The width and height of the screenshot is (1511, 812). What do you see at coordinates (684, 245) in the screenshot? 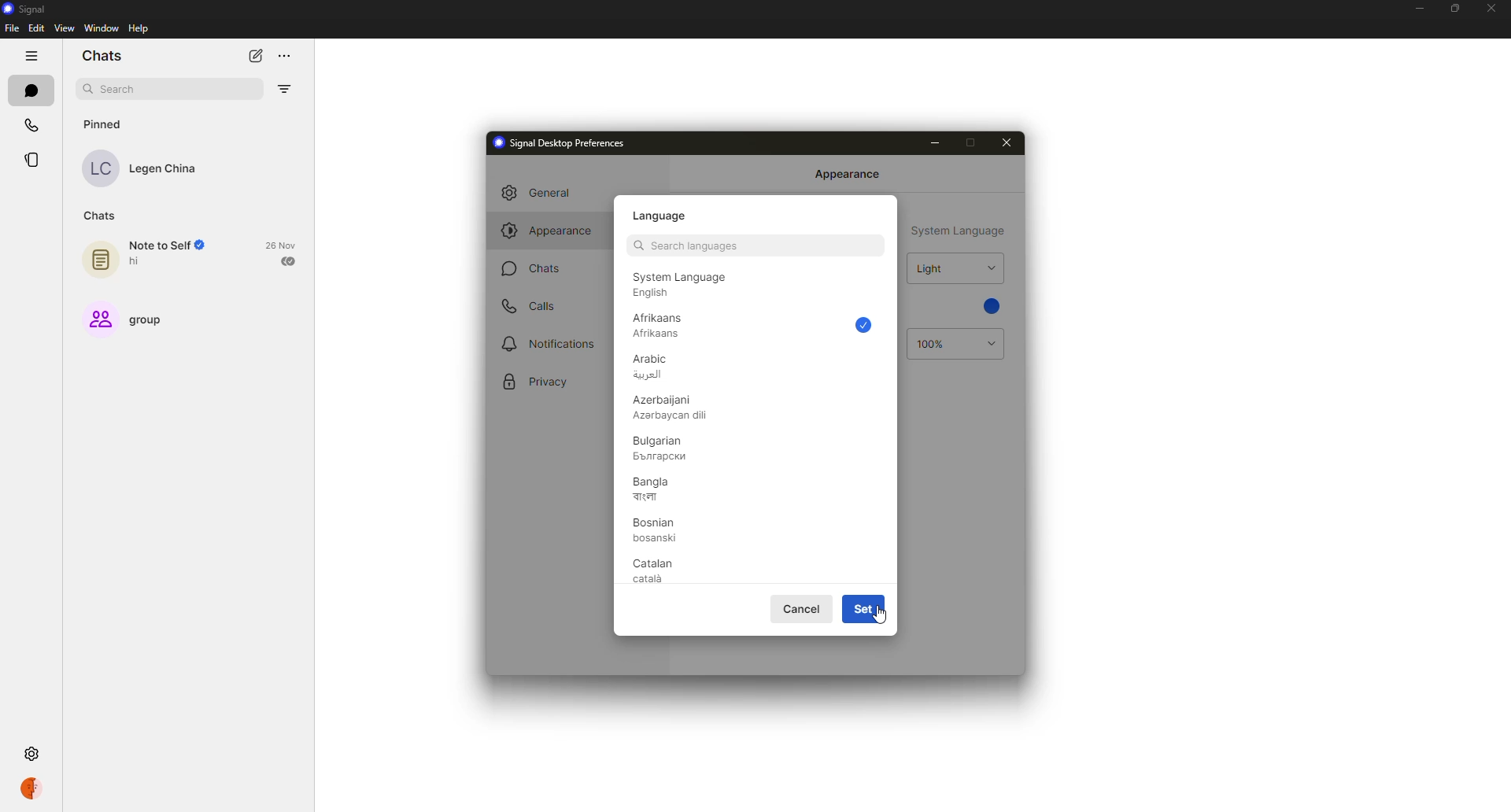
I see `search` at bounding box center [684, 245].